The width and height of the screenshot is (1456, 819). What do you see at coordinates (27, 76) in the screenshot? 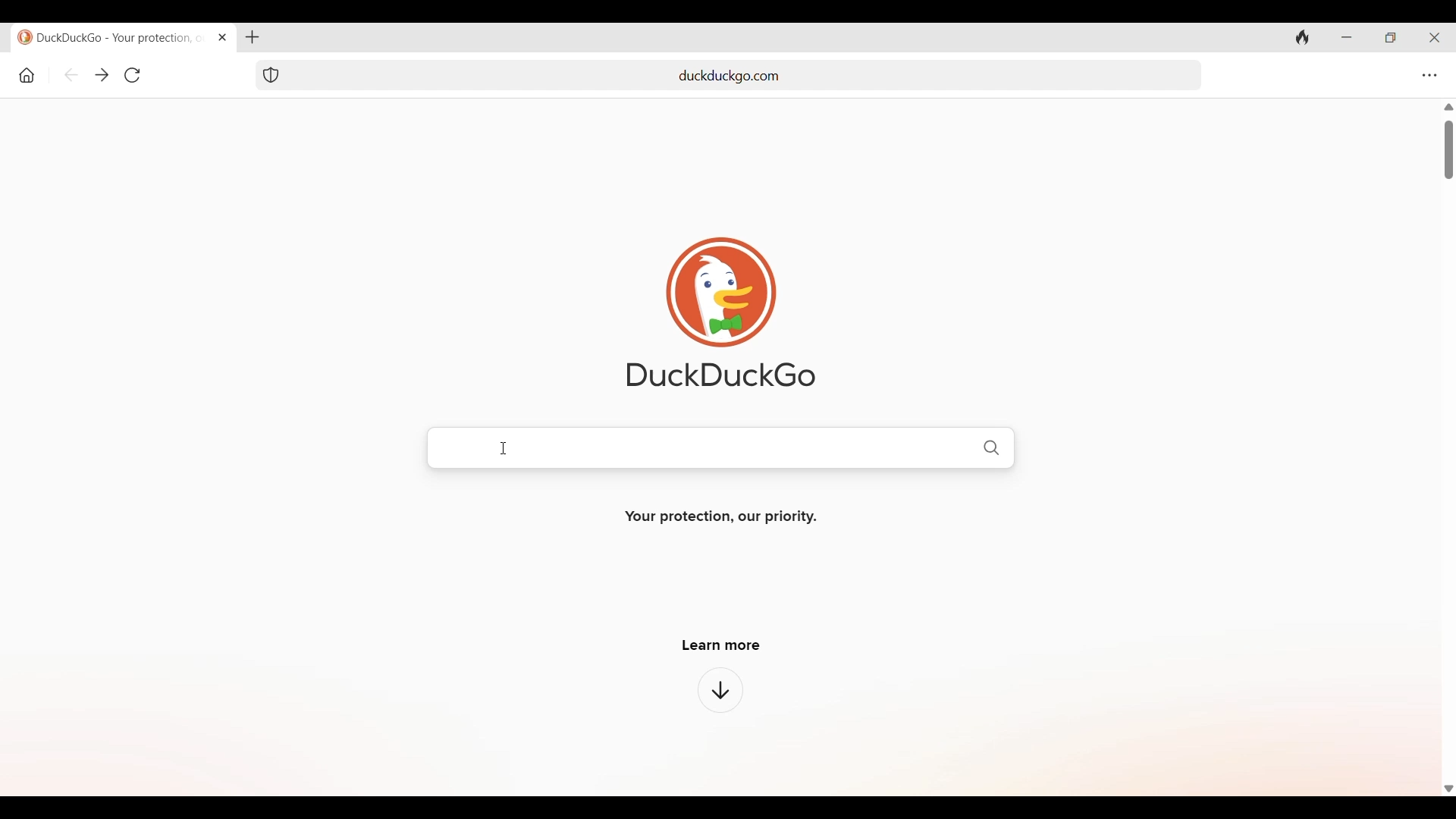
I see `Home` at bounding box center [27, 76].